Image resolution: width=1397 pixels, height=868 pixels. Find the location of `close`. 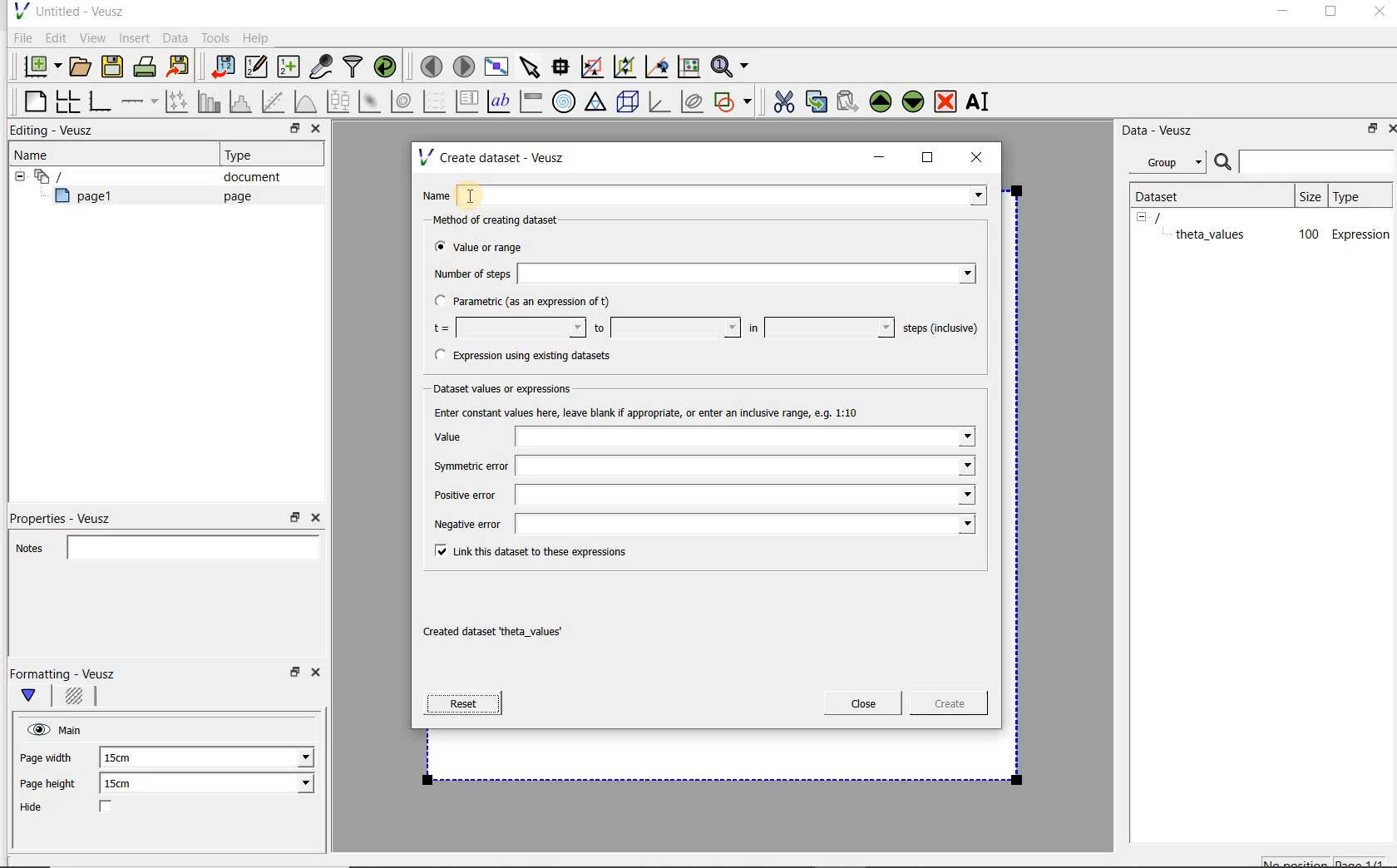

close is located at coordinates (982, 156).